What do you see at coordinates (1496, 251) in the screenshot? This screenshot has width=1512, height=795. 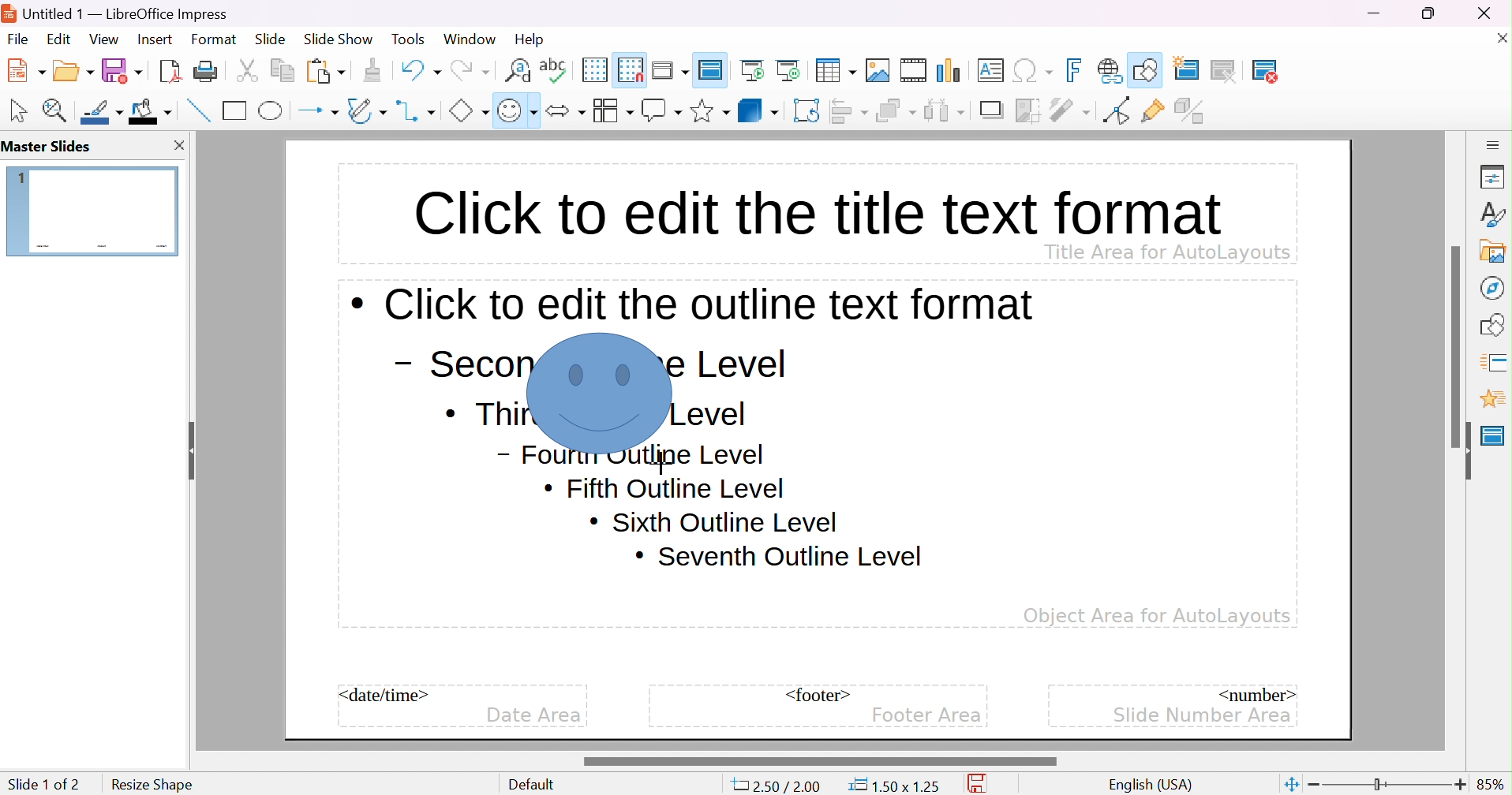 I see `gallery` at bounding box center [1496, 251].